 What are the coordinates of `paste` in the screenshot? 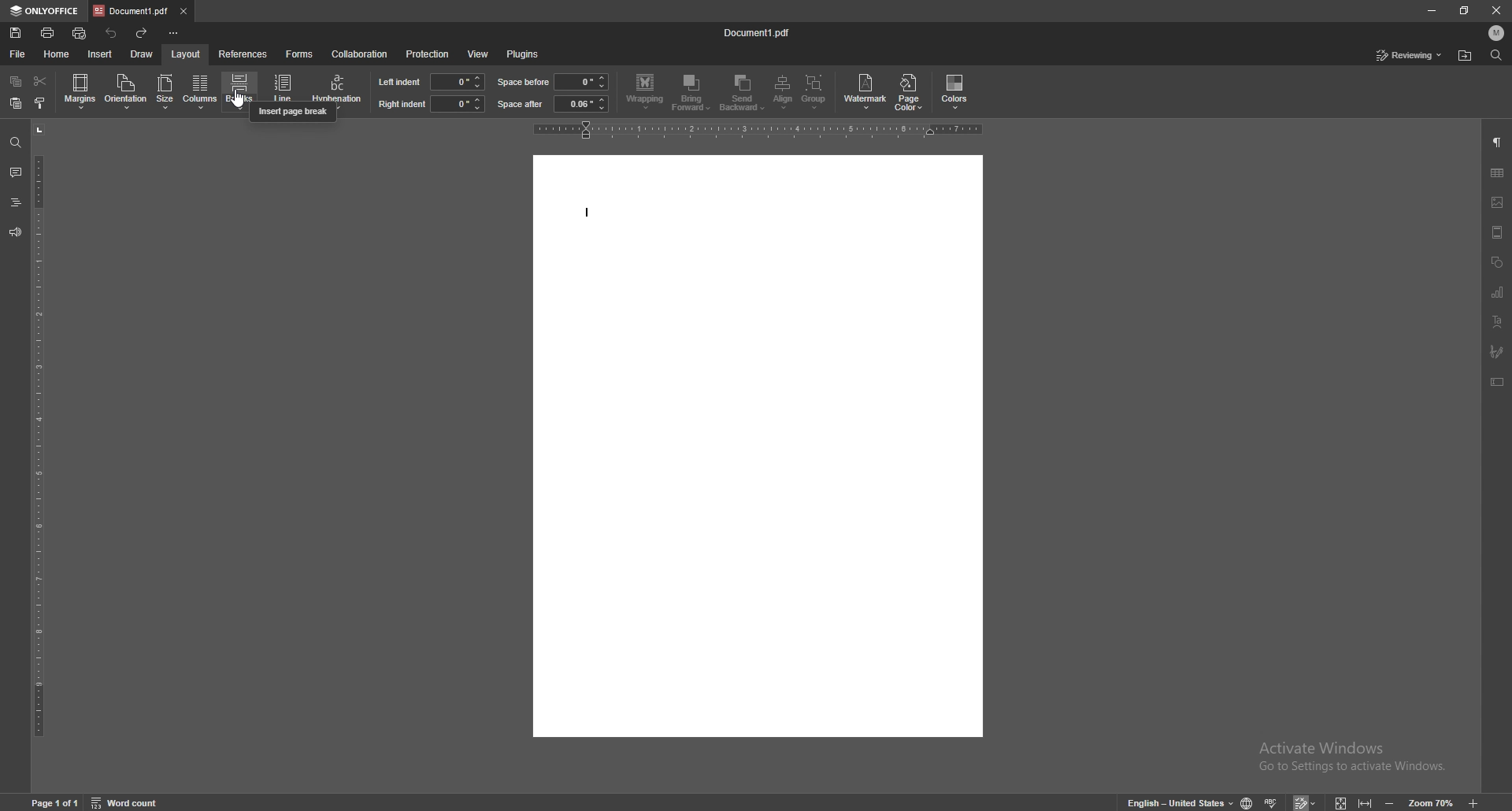 It's located at (17, 103).